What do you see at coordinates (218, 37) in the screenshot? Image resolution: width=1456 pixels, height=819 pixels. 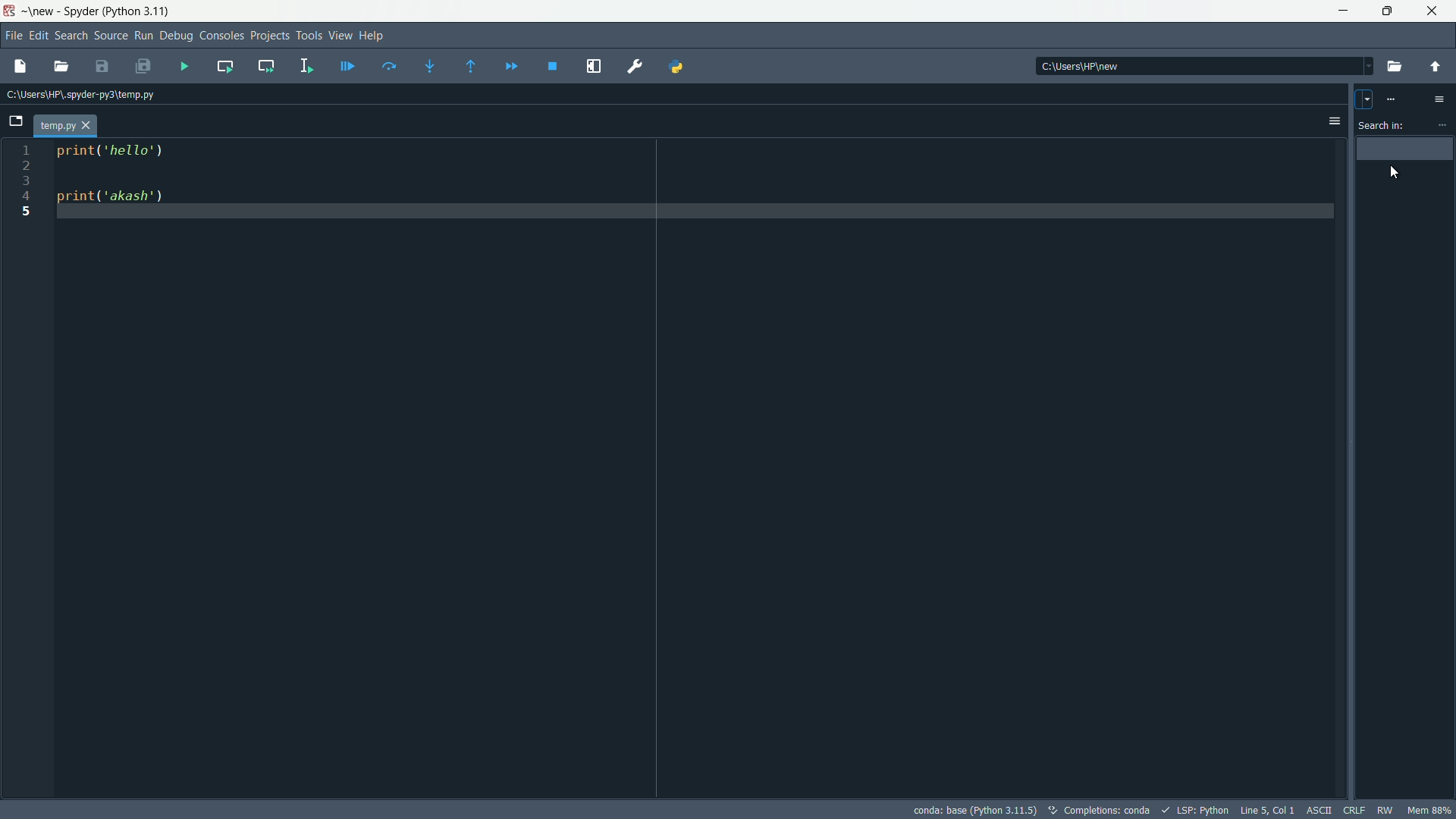 I see `Consoles Menu` at bounding box center [218, 37].